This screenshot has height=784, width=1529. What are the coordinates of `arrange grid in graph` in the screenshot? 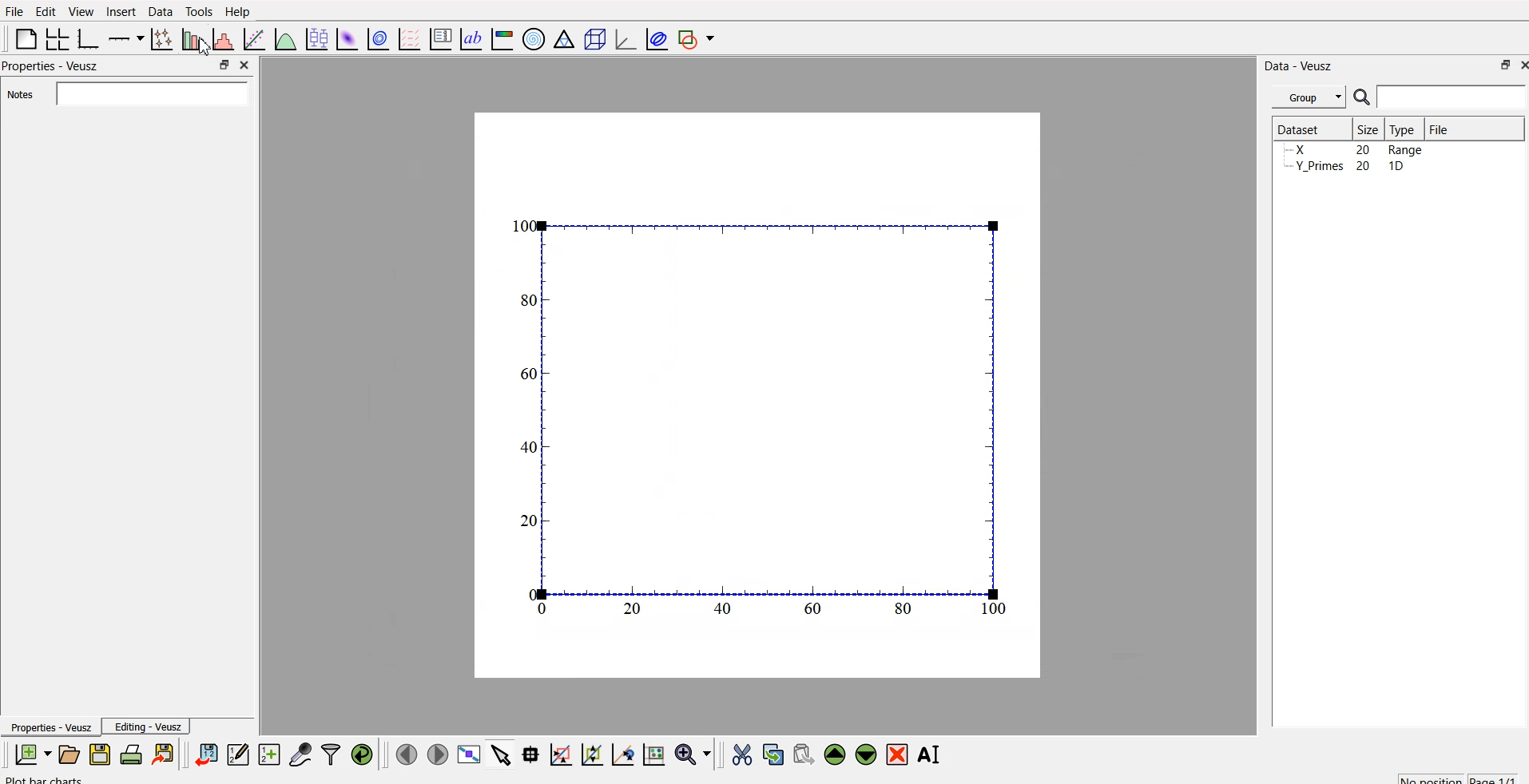 It's located at (56, 37).